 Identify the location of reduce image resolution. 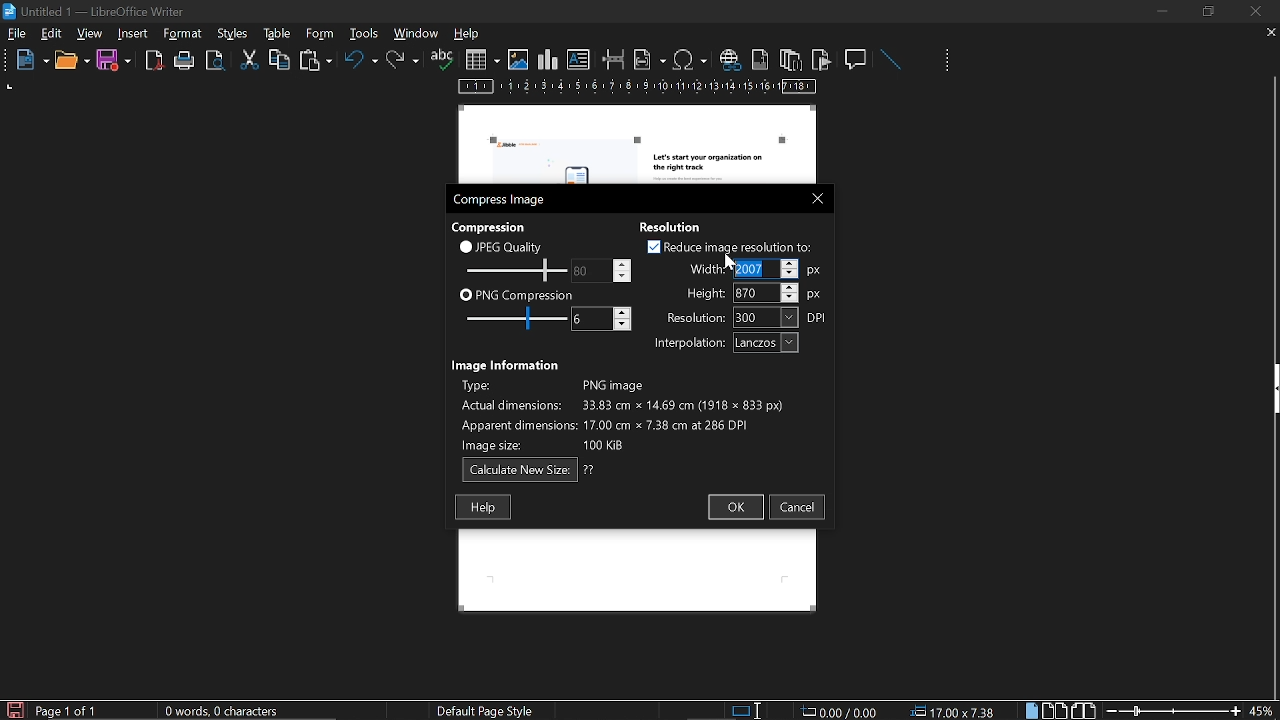
(730, 246).